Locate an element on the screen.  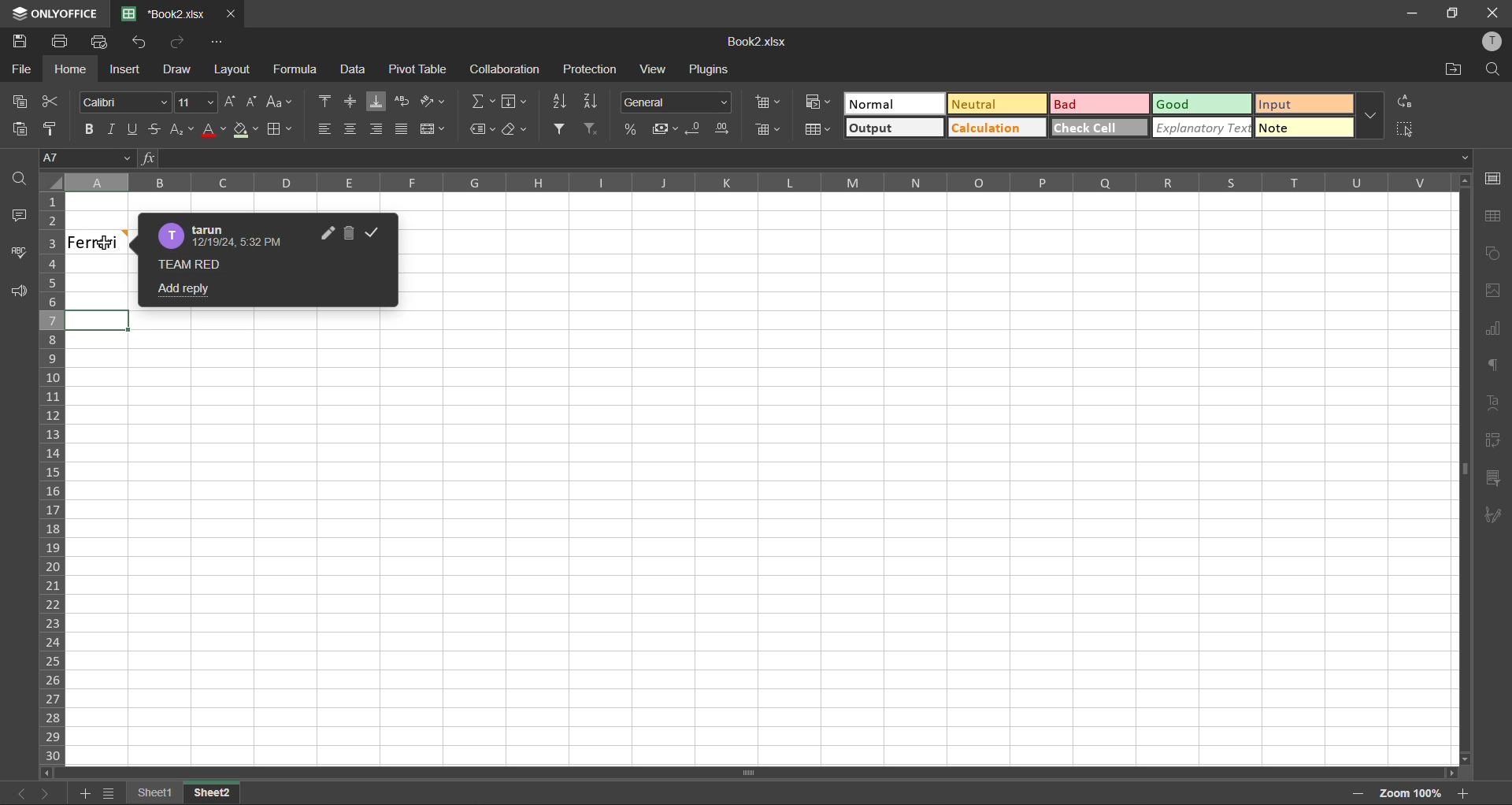
clear filter is located at coordinates (589, 129).